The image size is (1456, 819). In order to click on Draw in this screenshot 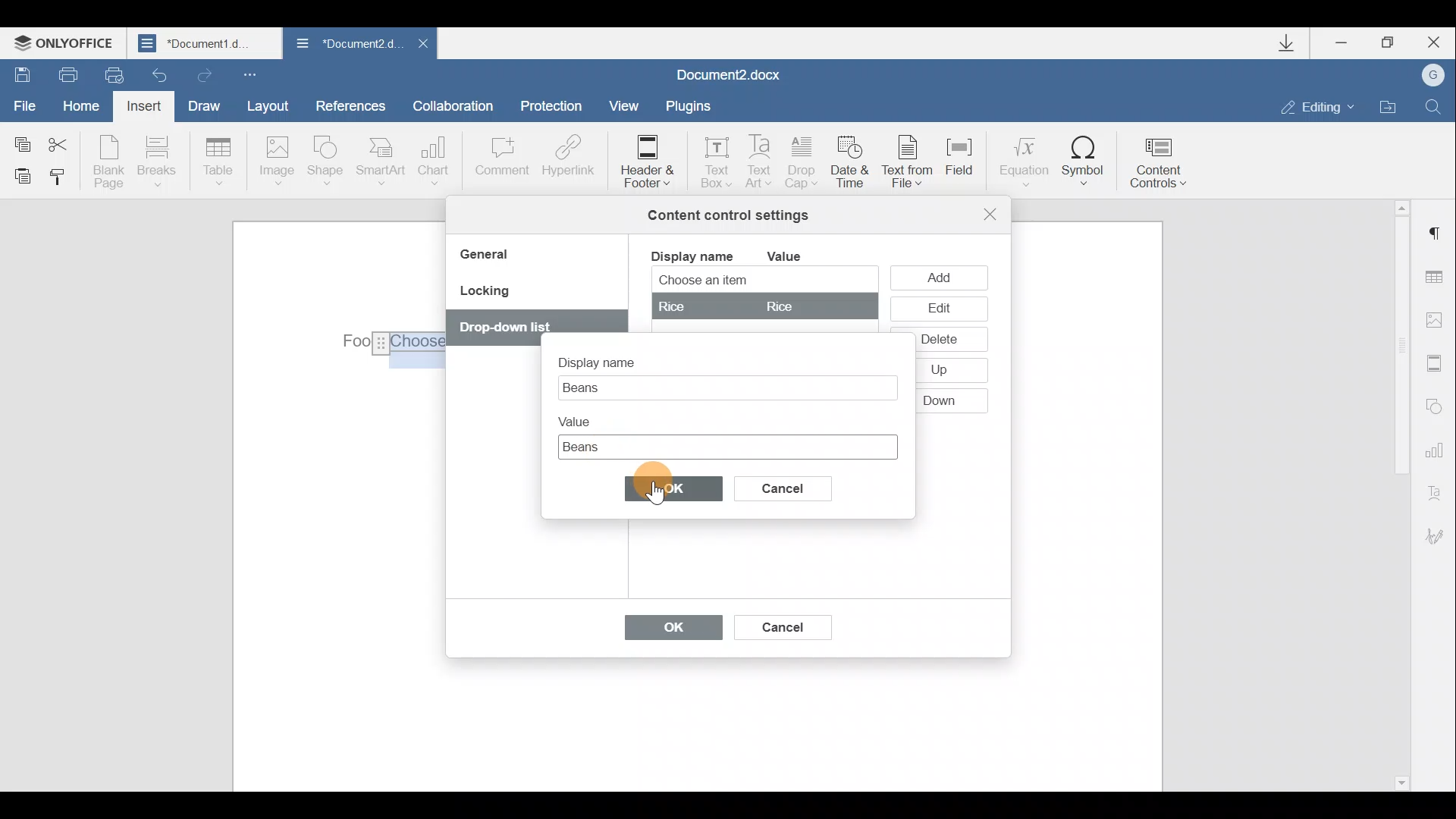, I will do `click(202, 104)`.